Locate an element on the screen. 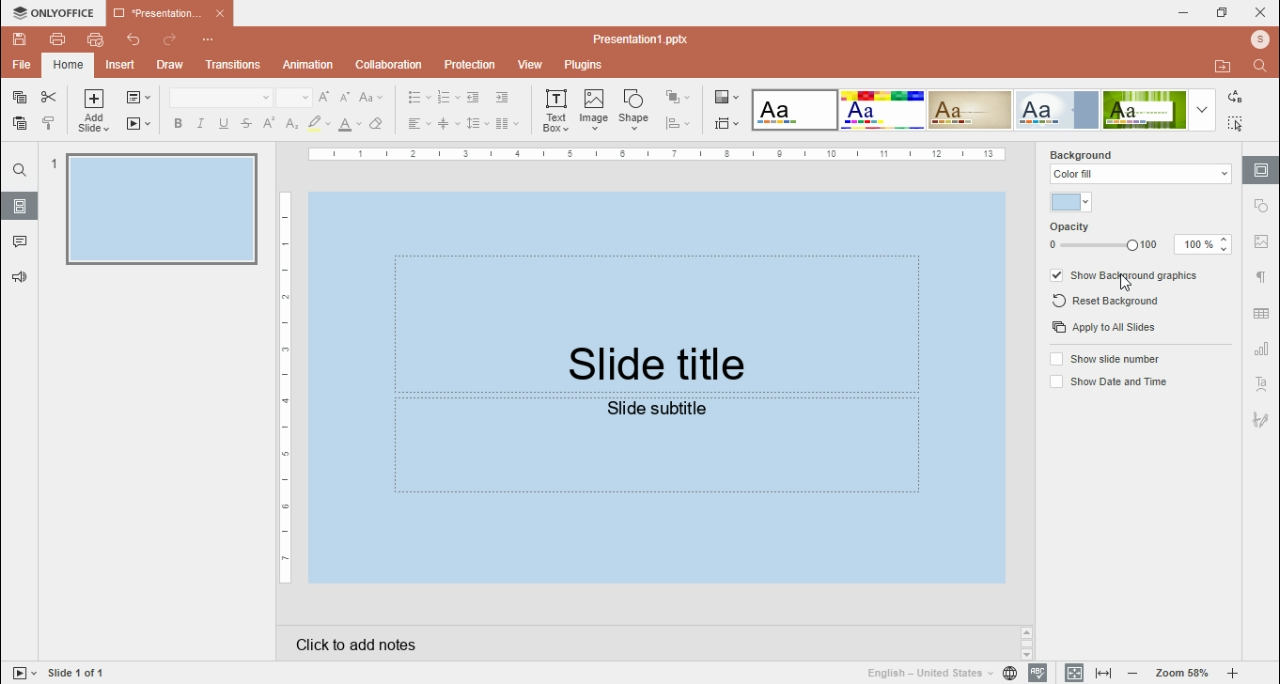  customize quick access toolbar is located at coordinates (207, 40).